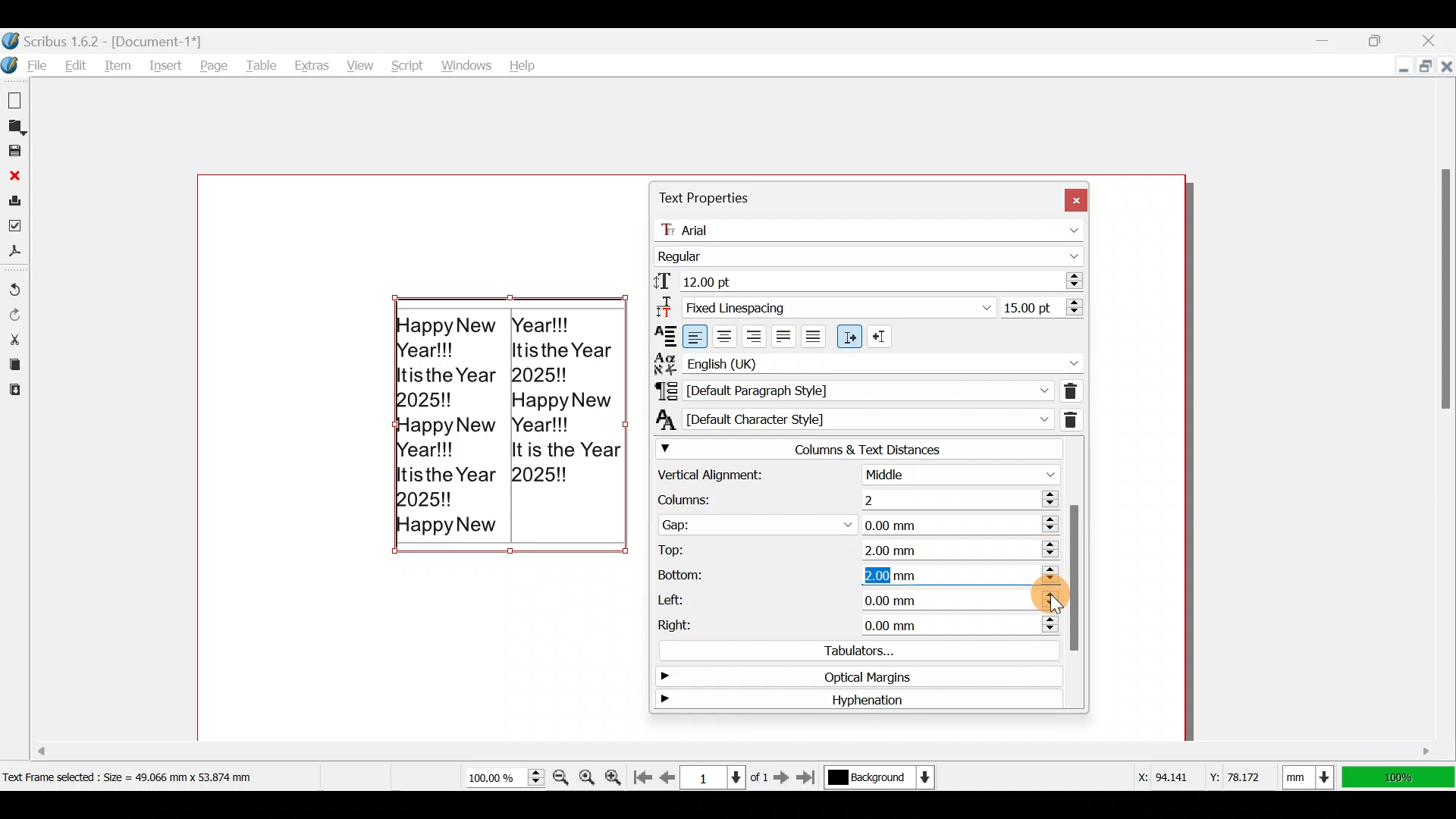 This screenshot has width=1456, height=819. I want to click on Maximize, so click(1389, 39).